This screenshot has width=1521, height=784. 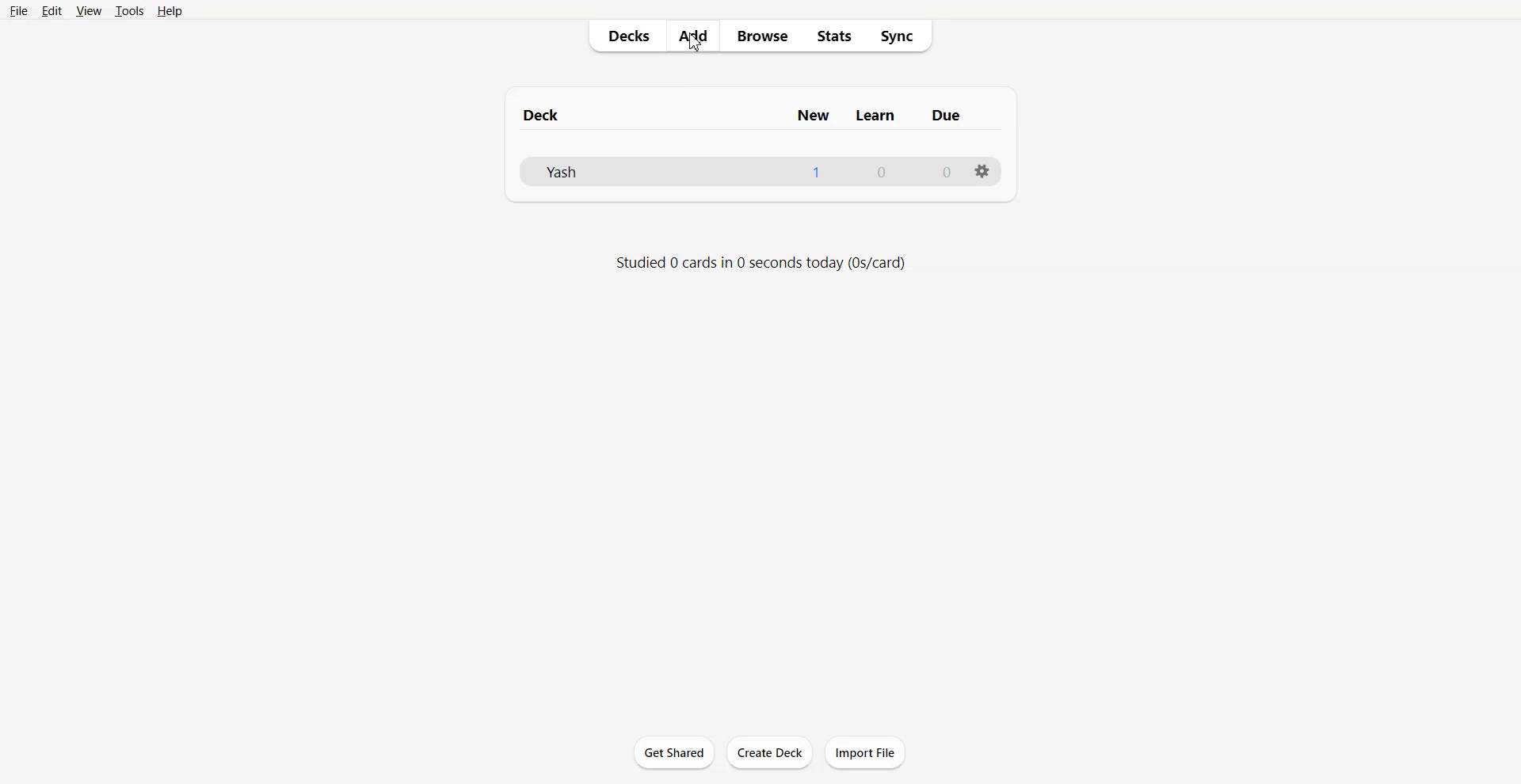 What do you see at coordinates (626, 36) in the screenshot?
I see `Decks` at bounding box center [626, 36].